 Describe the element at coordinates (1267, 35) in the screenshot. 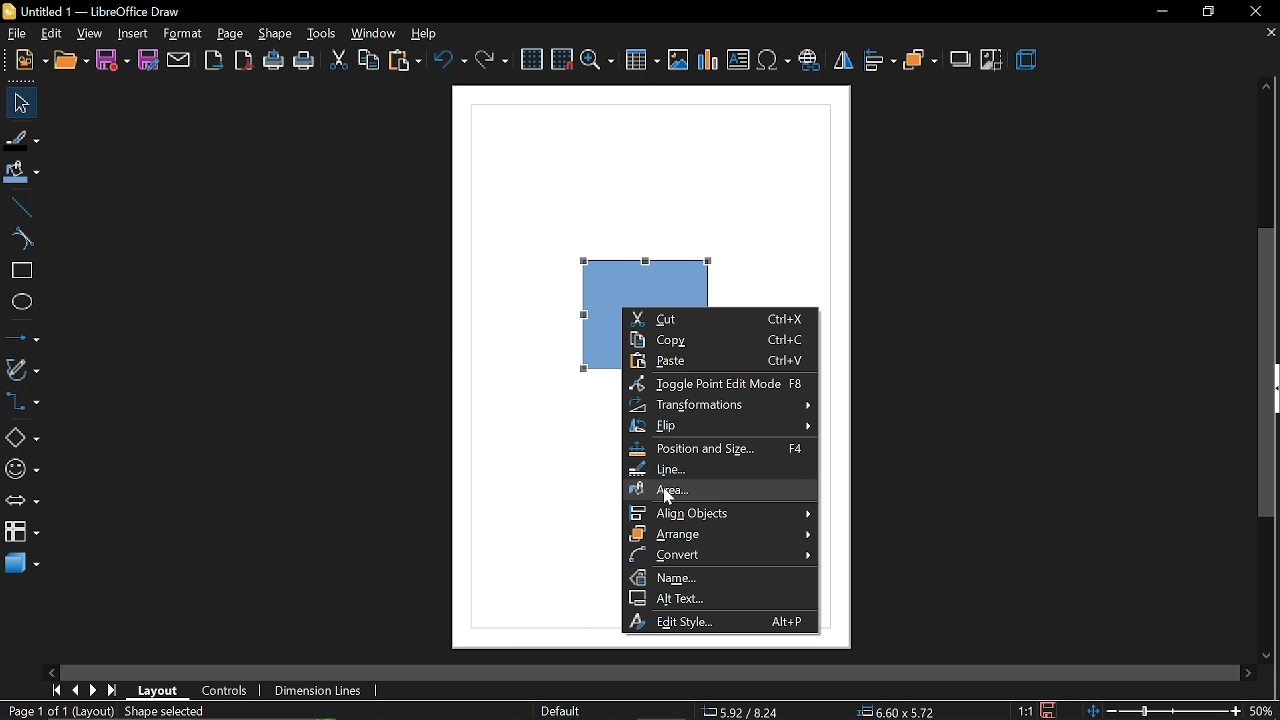

I see `close tab` at that location.